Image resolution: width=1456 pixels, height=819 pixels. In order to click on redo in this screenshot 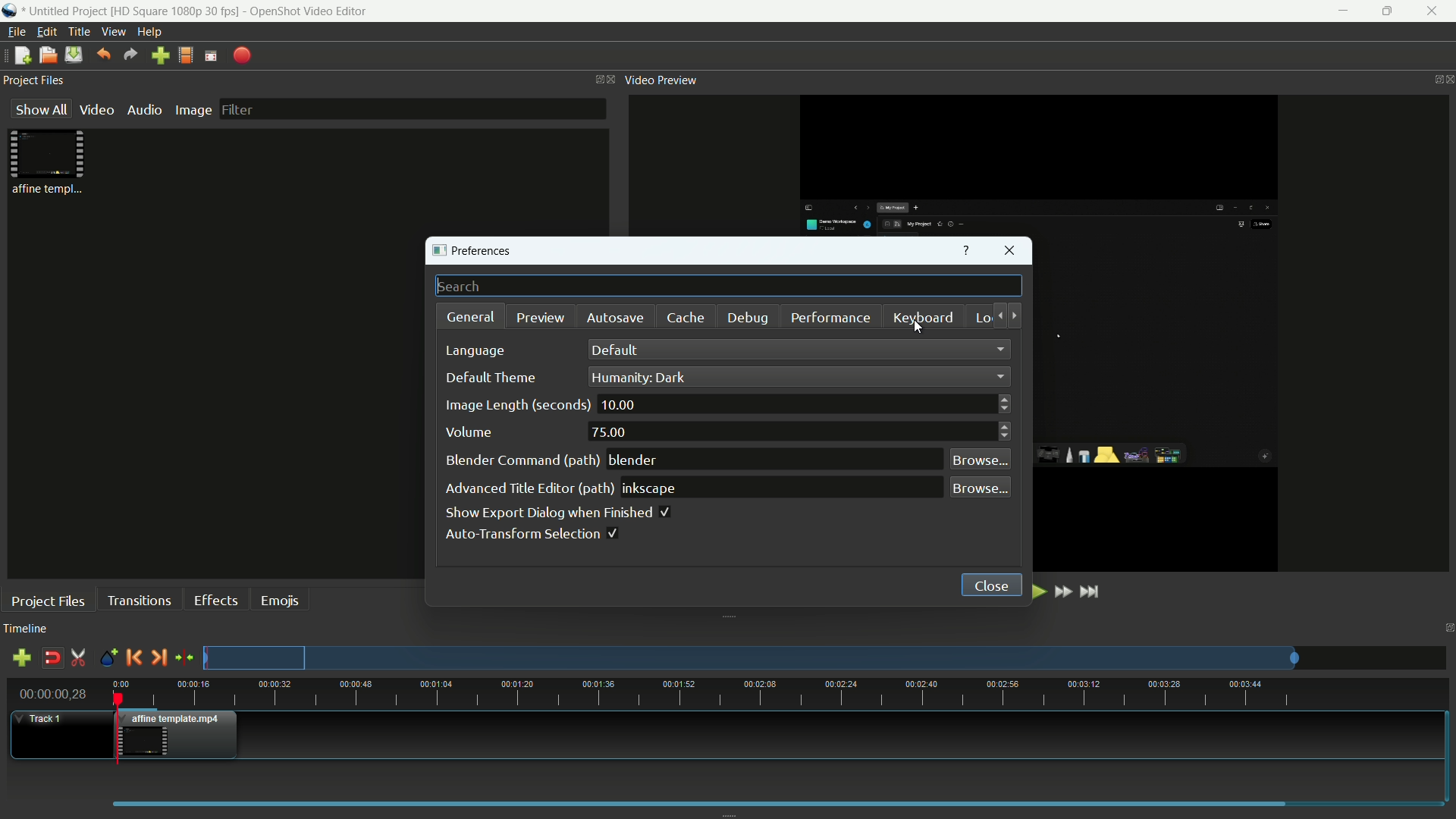, I will do `click(131, 55)`.